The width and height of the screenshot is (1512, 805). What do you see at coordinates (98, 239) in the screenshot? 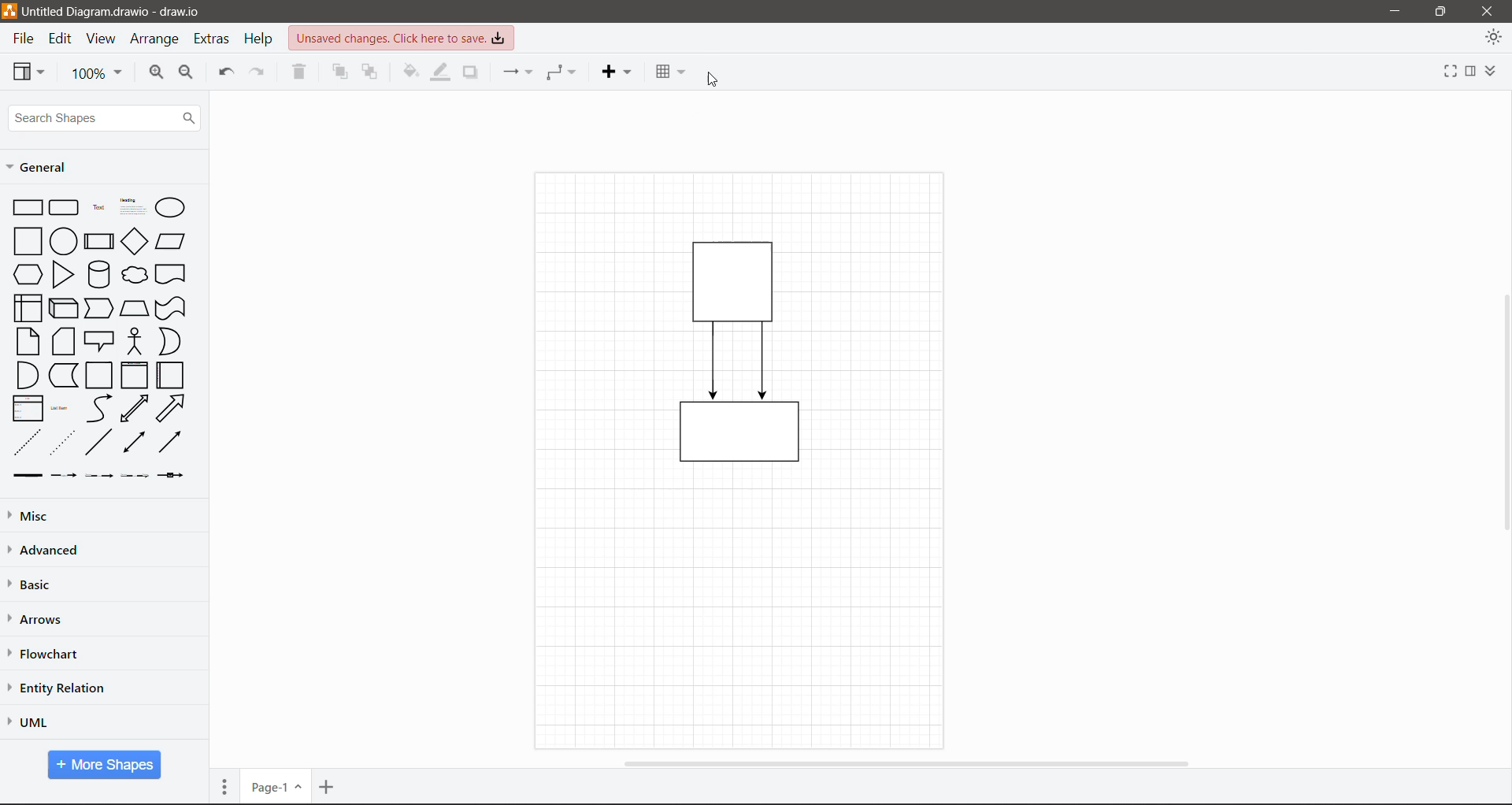
I see `Process` at bounding box center [98, 239].